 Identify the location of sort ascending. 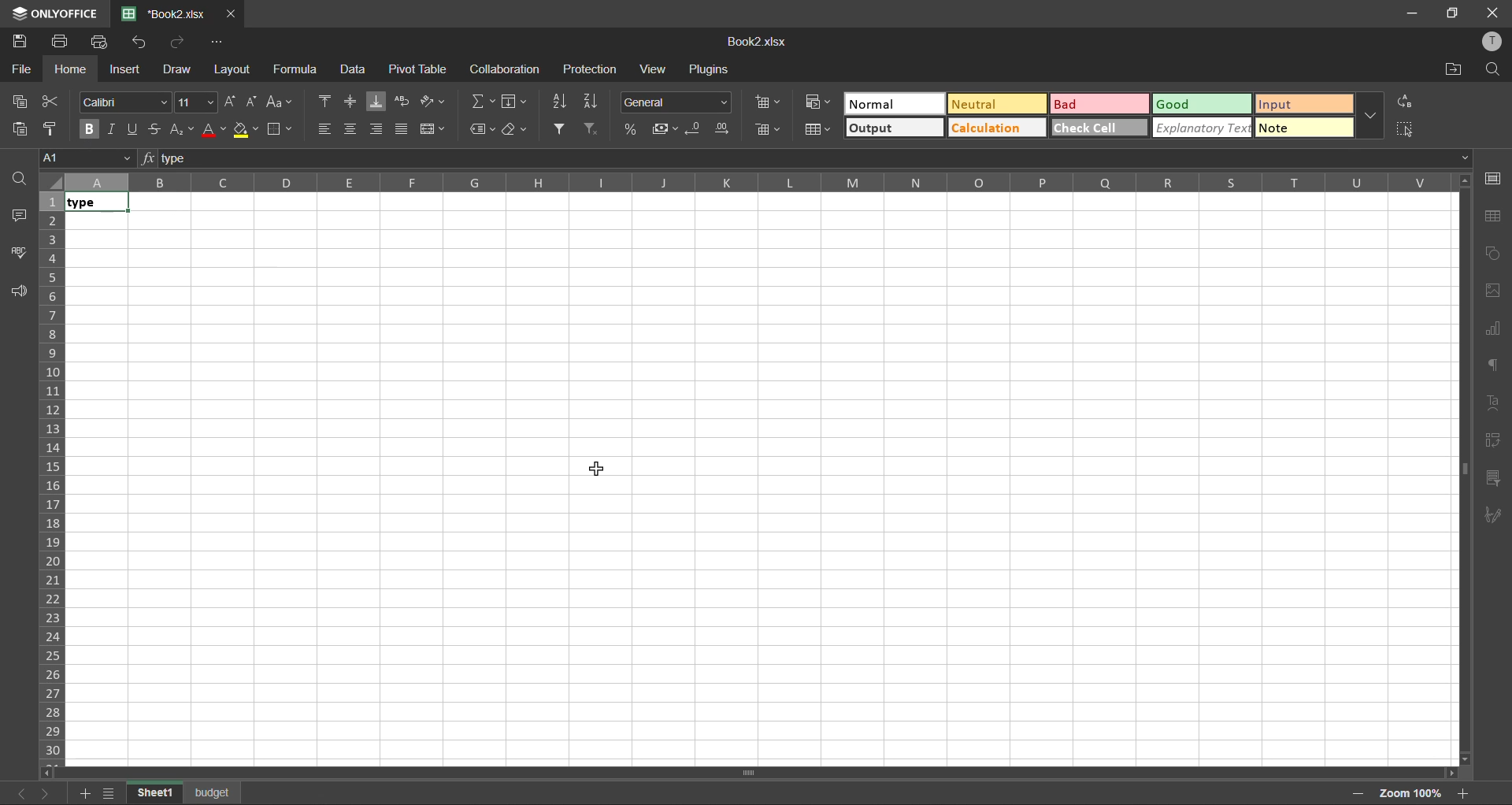
(561, 103).